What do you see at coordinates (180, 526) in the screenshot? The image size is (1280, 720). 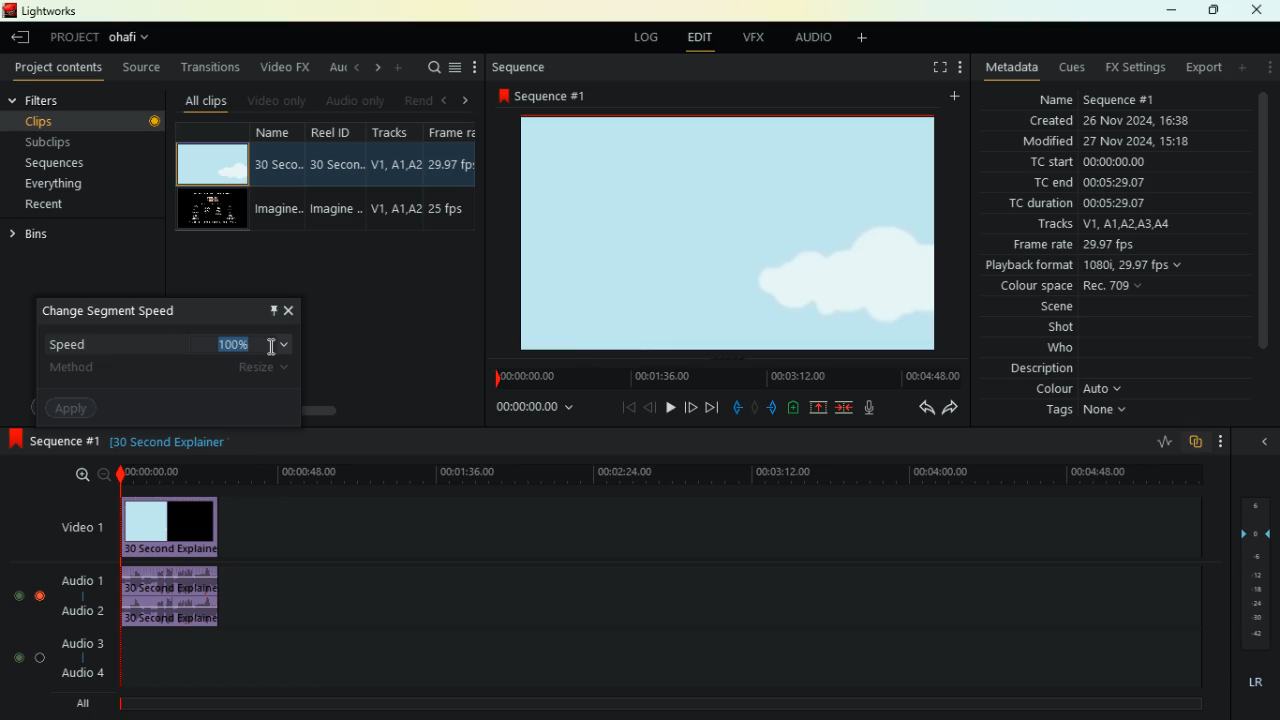 I see `video` at bounding box center [180, 526].